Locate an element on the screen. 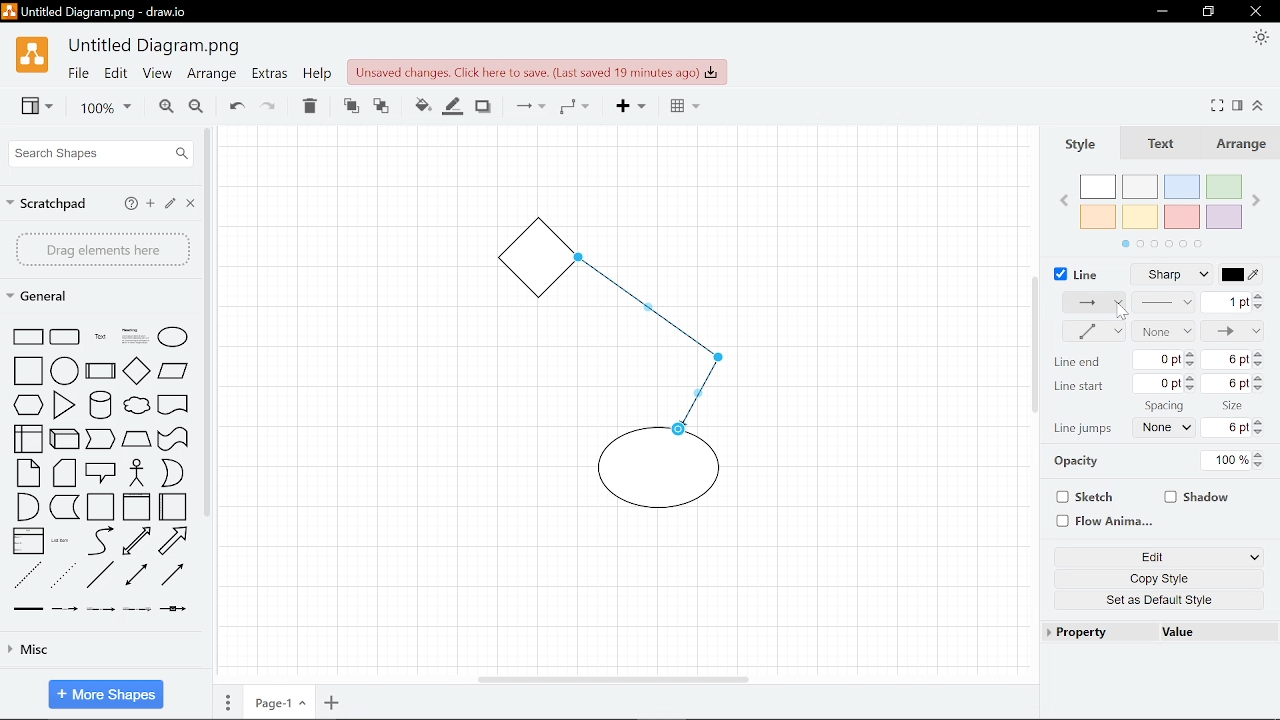 The height and width of the screenshot is (720, 1280). Current opacity is located at coordinates (1228, 459).